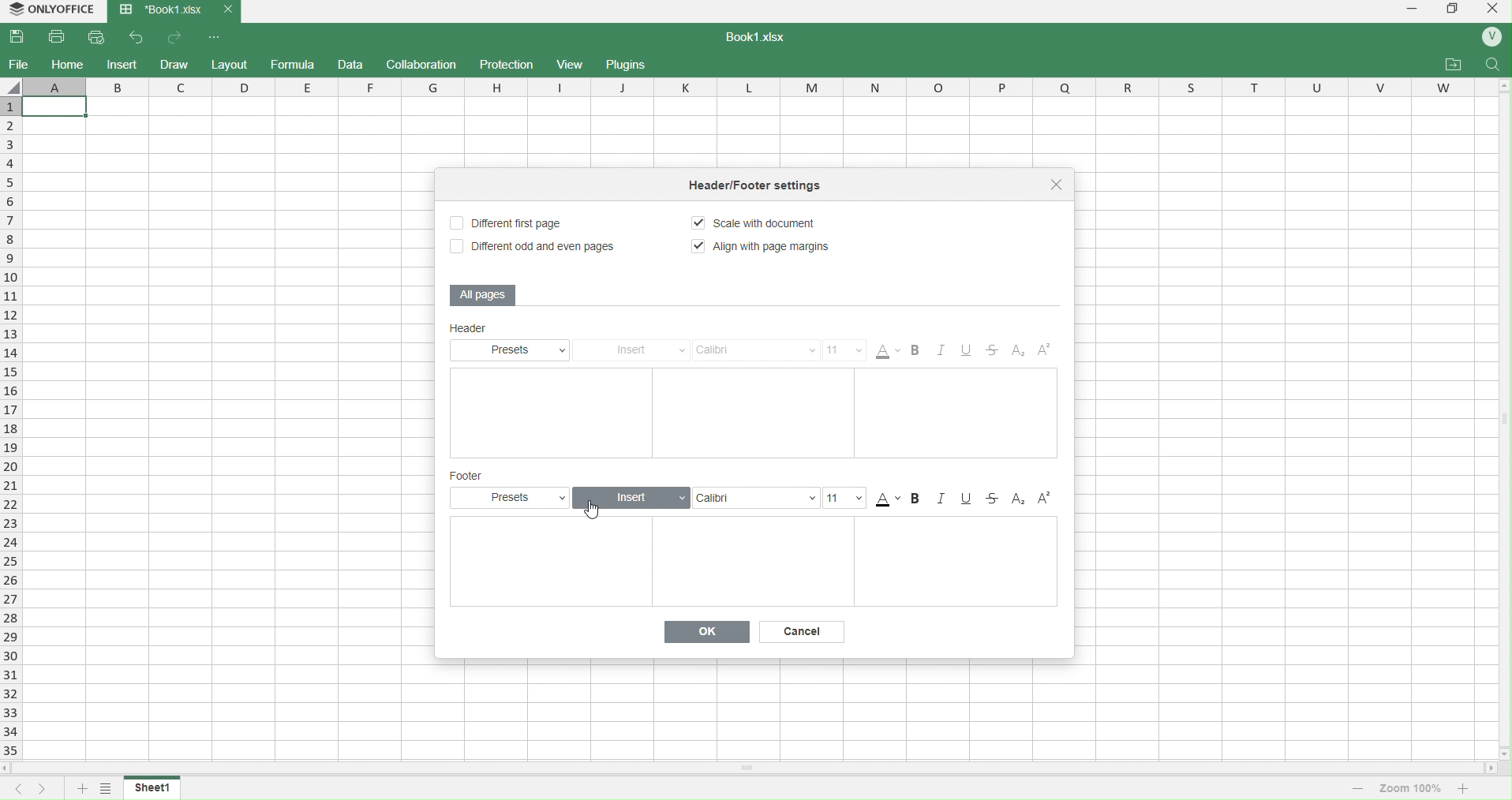 This screenshot has height=800, width=1512. What do you see at coordinates (154, 787) in the screenshot?
I see `sheet1` at bounding box center [154, 787].